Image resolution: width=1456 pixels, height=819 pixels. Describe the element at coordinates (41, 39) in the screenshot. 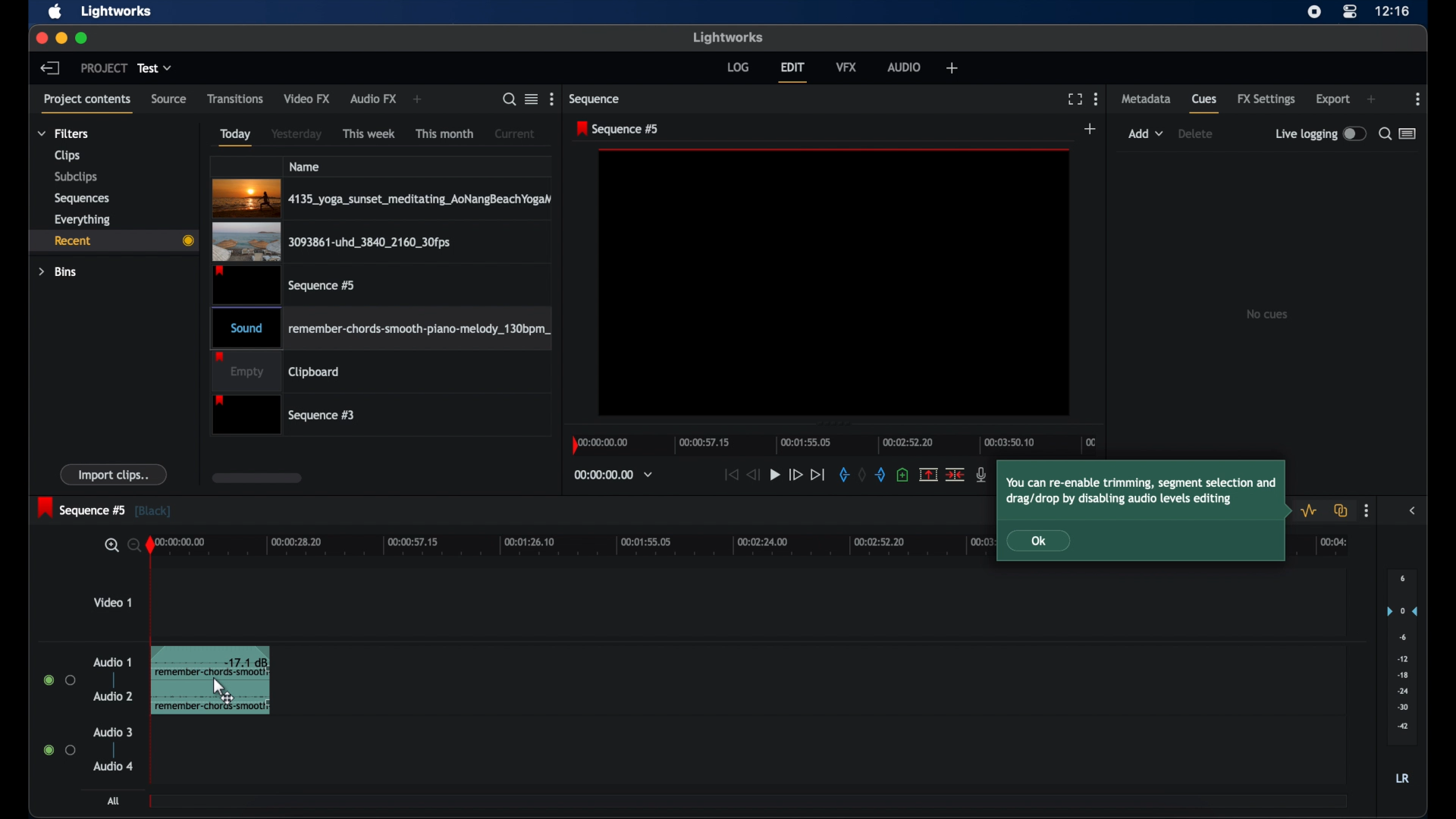

I see `close` at that location.